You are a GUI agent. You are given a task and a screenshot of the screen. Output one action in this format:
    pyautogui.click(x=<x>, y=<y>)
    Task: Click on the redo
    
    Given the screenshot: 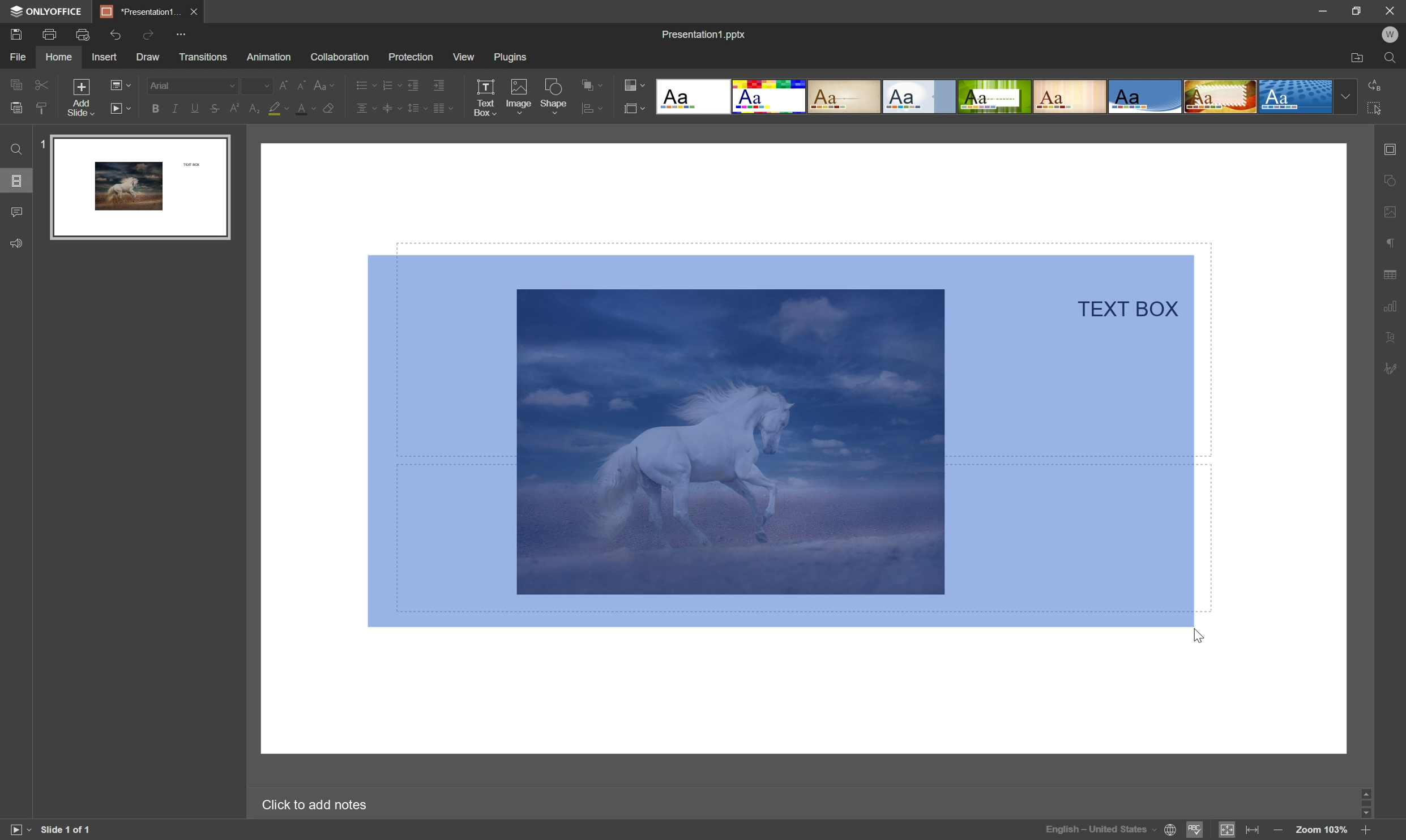 What is the action you would take?
    pyautogui.click(x=151, y=37)
    